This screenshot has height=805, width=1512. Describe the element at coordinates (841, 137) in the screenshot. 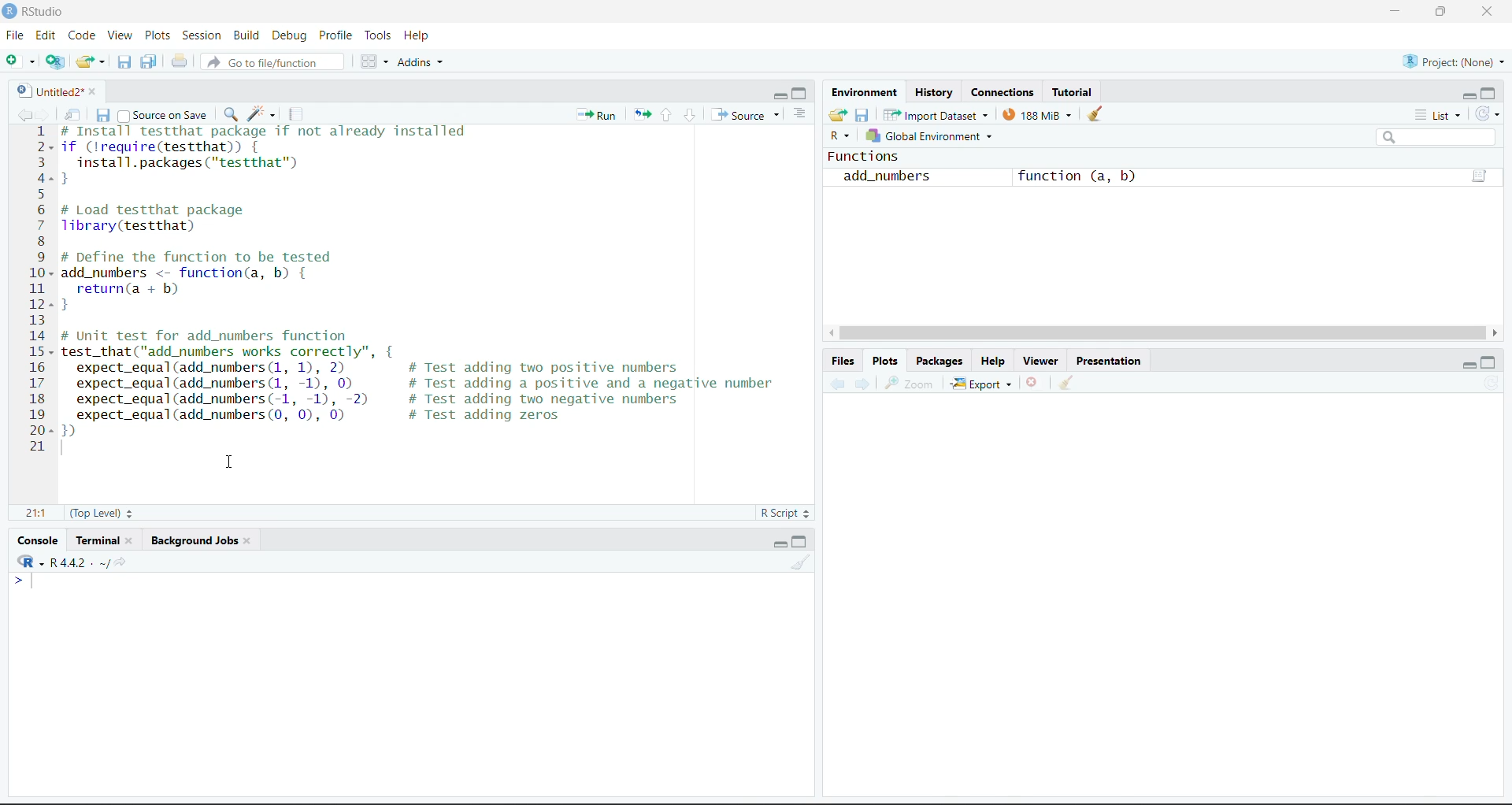

I see `R` at that location.